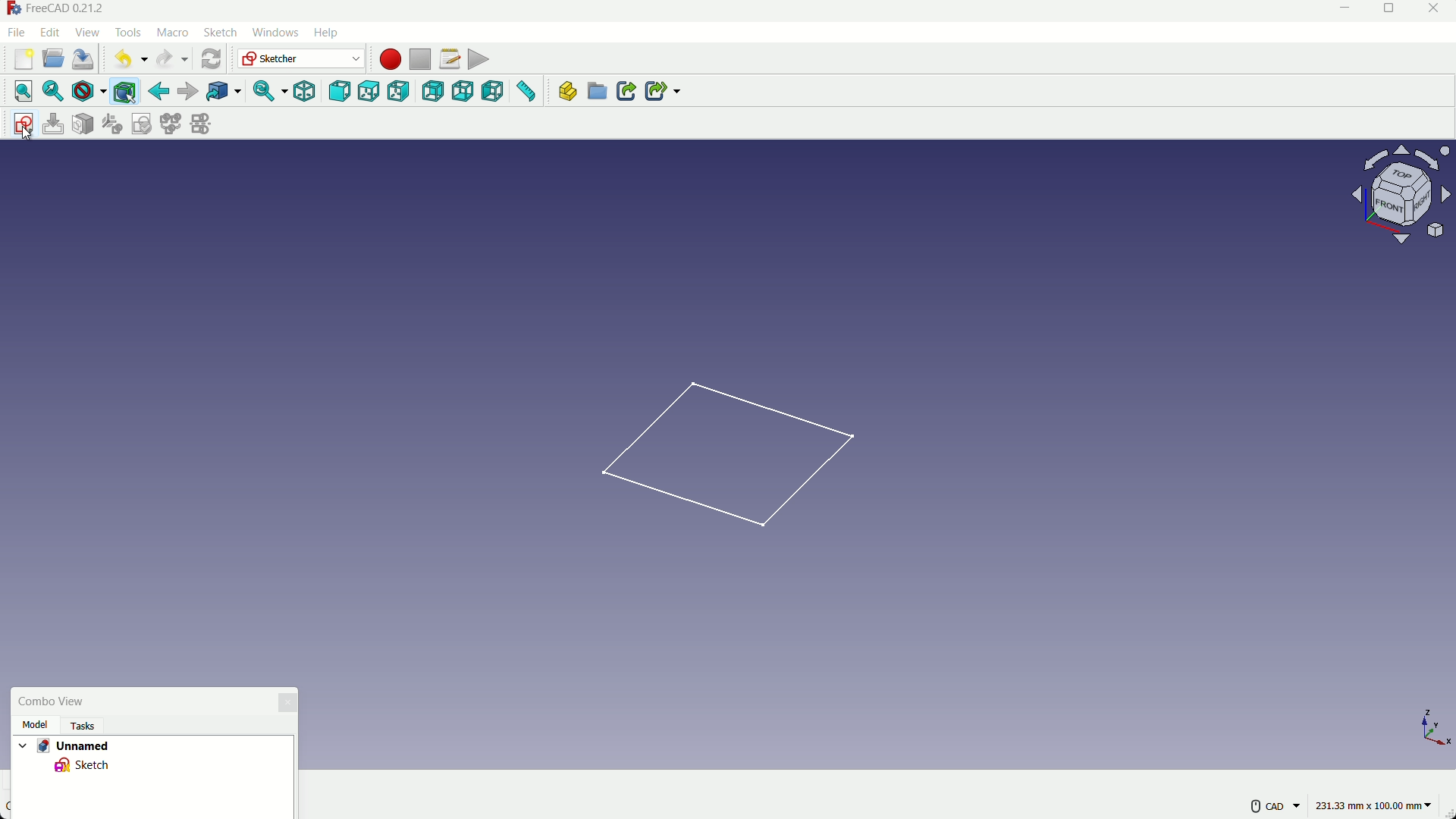 The height and width of the screenshot is (819, 1456). What do you see at coordinates (87, 767) in the screenshot?
I see `sketch` at bounding box center [87, 767].